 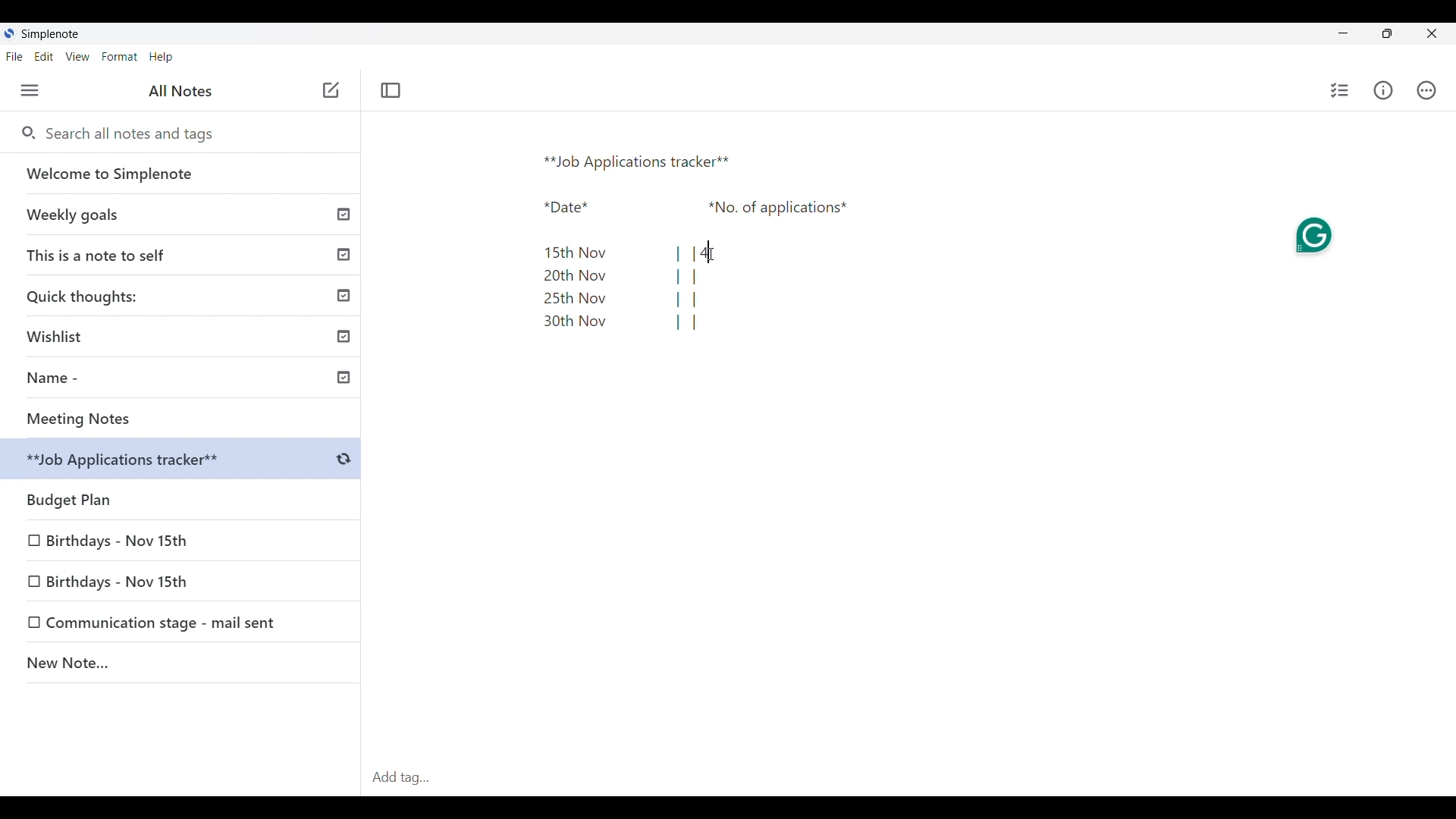 What do you see at coordinates (183, 295) in the screenshot?
I see `Quick thoughts` at bounding box center [183, 295].